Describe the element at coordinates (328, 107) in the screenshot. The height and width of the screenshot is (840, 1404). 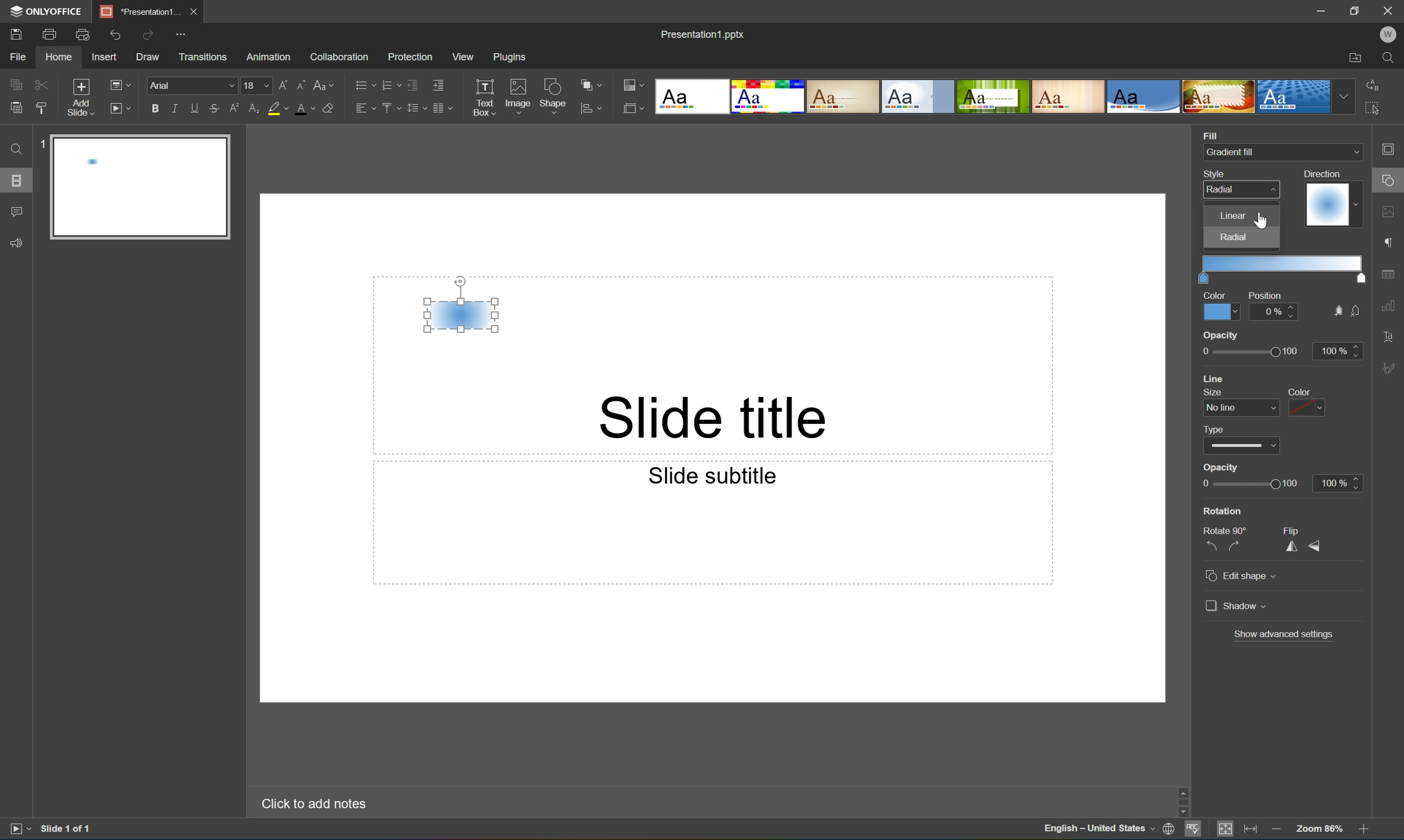
I see `Clear style` at that location.